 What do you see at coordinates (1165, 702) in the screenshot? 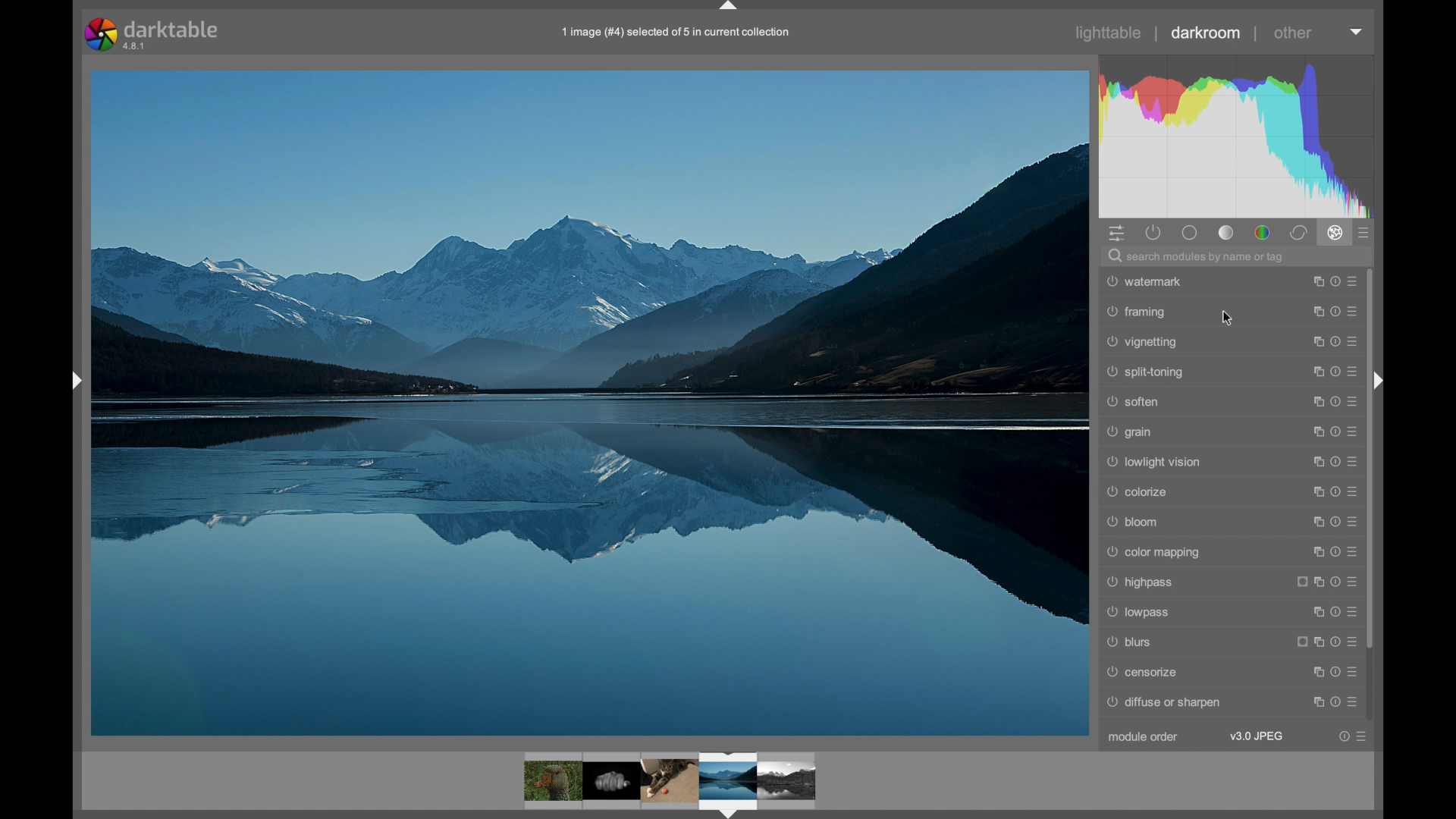
I see `diffuse or sharpen` at bounding box center [1165, 702].